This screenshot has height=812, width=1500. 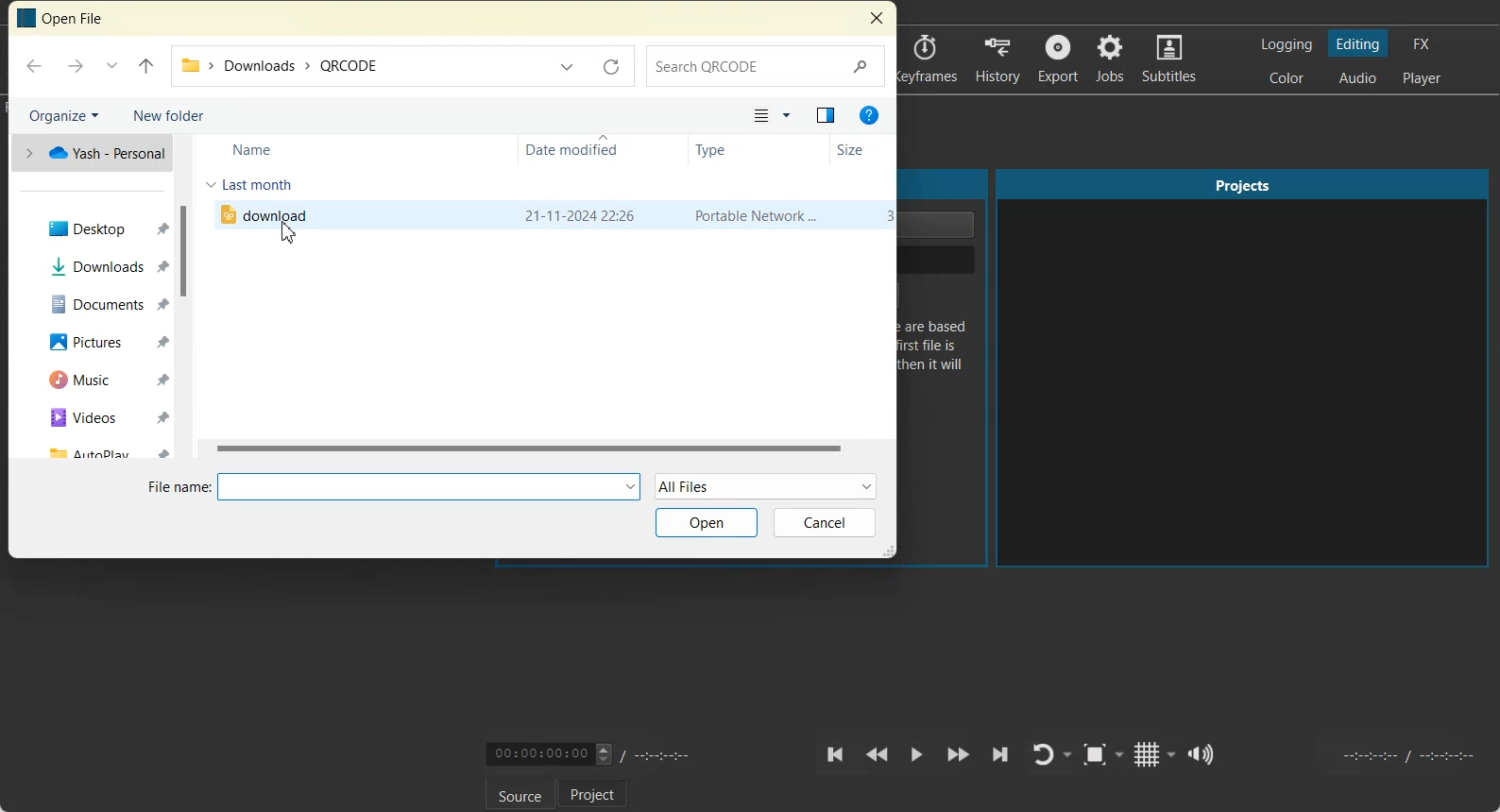 What do you see at coordinates (772, 117) in the screenshot?
I see `Change your view` at bounding box center [772, 117].